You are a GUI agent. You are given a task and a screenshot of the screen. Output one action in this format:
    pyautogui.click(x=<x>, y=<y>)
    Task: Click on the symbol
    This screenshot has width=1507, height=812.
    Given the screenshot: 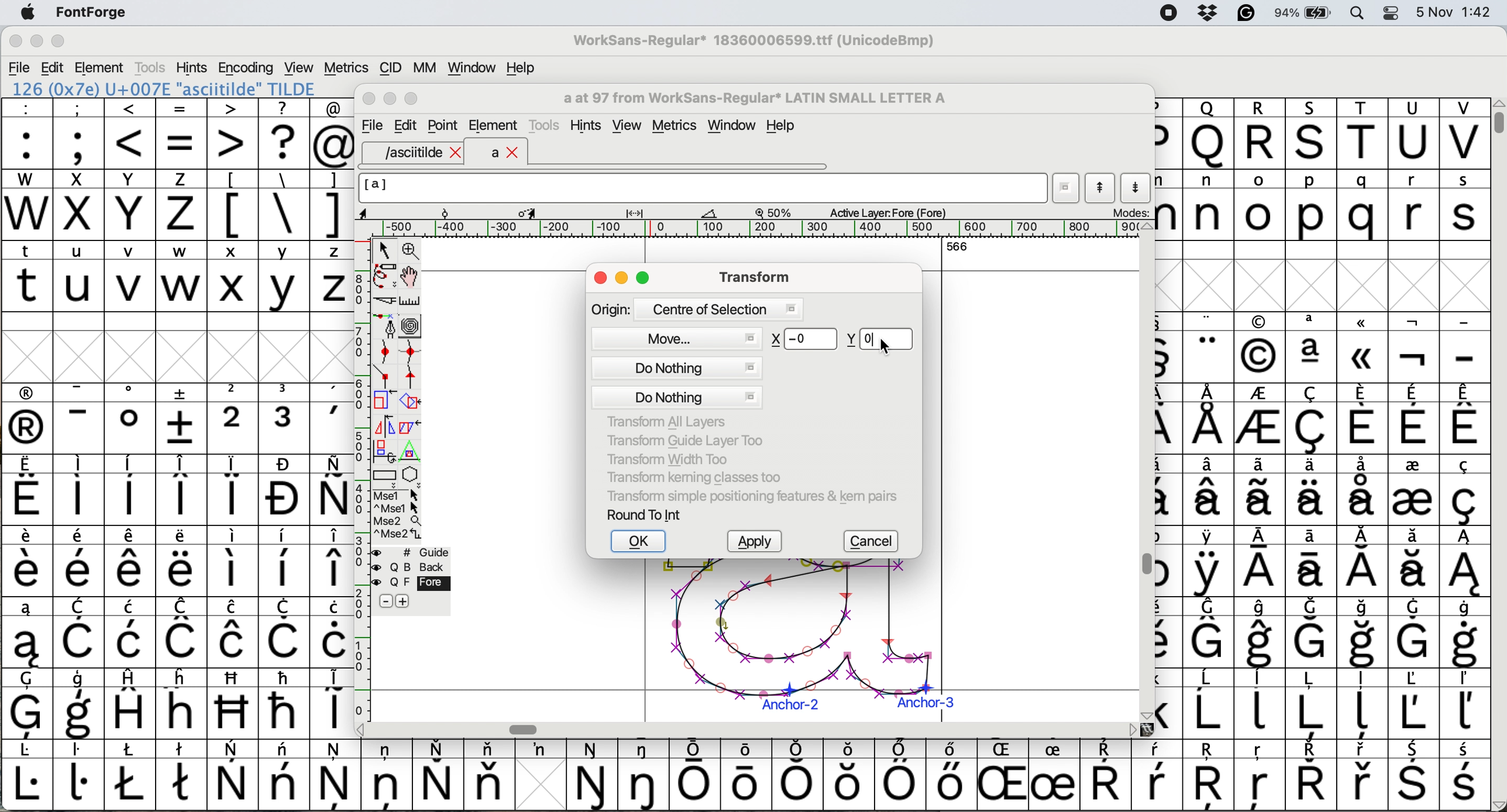 What is the action you would take?
    pyautogui.click(x=336, y=774)
    